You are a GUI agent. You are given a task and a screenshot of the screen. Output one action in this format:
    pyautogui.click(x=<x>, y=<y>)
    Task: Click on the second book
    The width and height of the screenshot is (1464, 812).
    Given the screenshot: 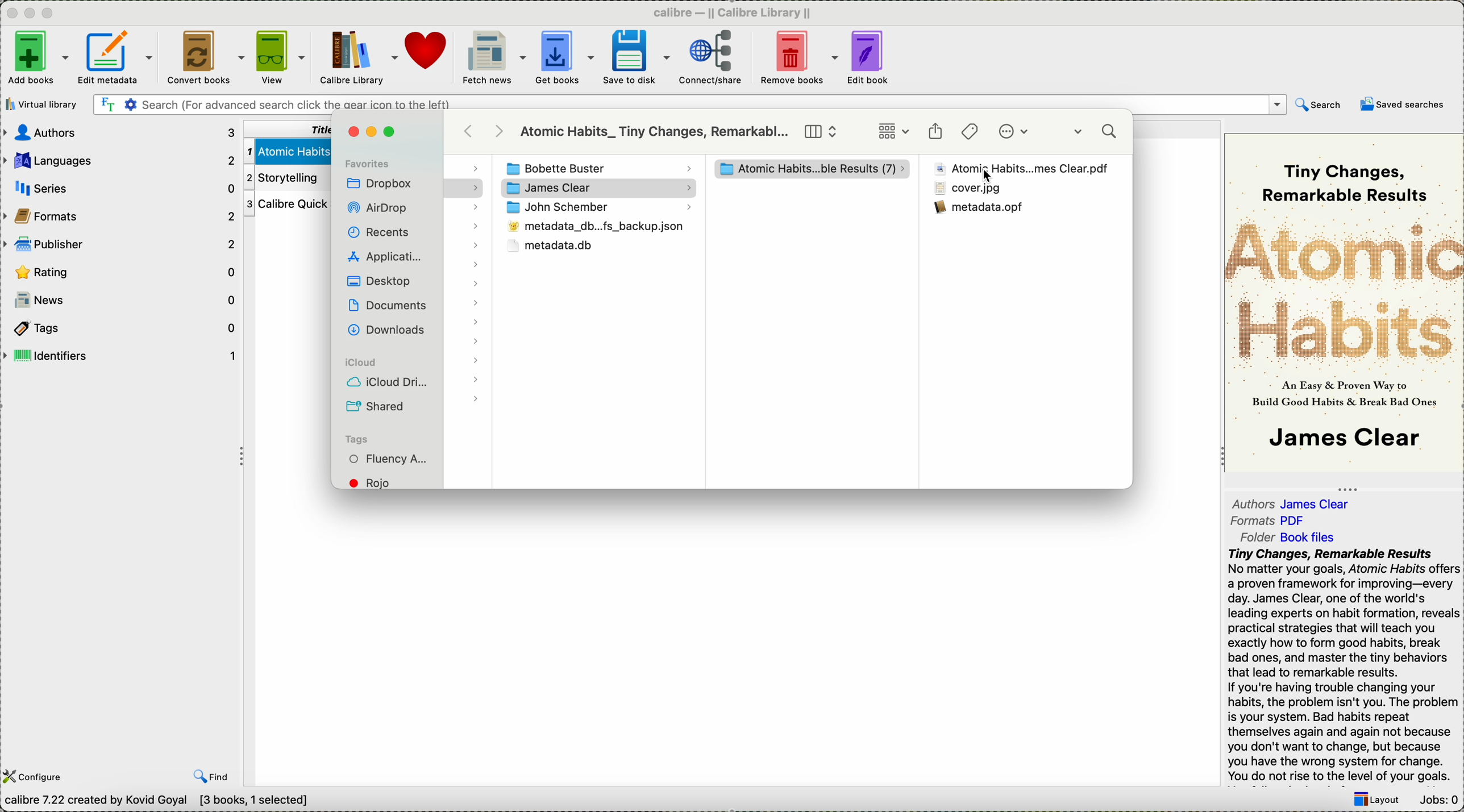 What is the action you would take?
    pyautogui.click(x=284, y=178)
    